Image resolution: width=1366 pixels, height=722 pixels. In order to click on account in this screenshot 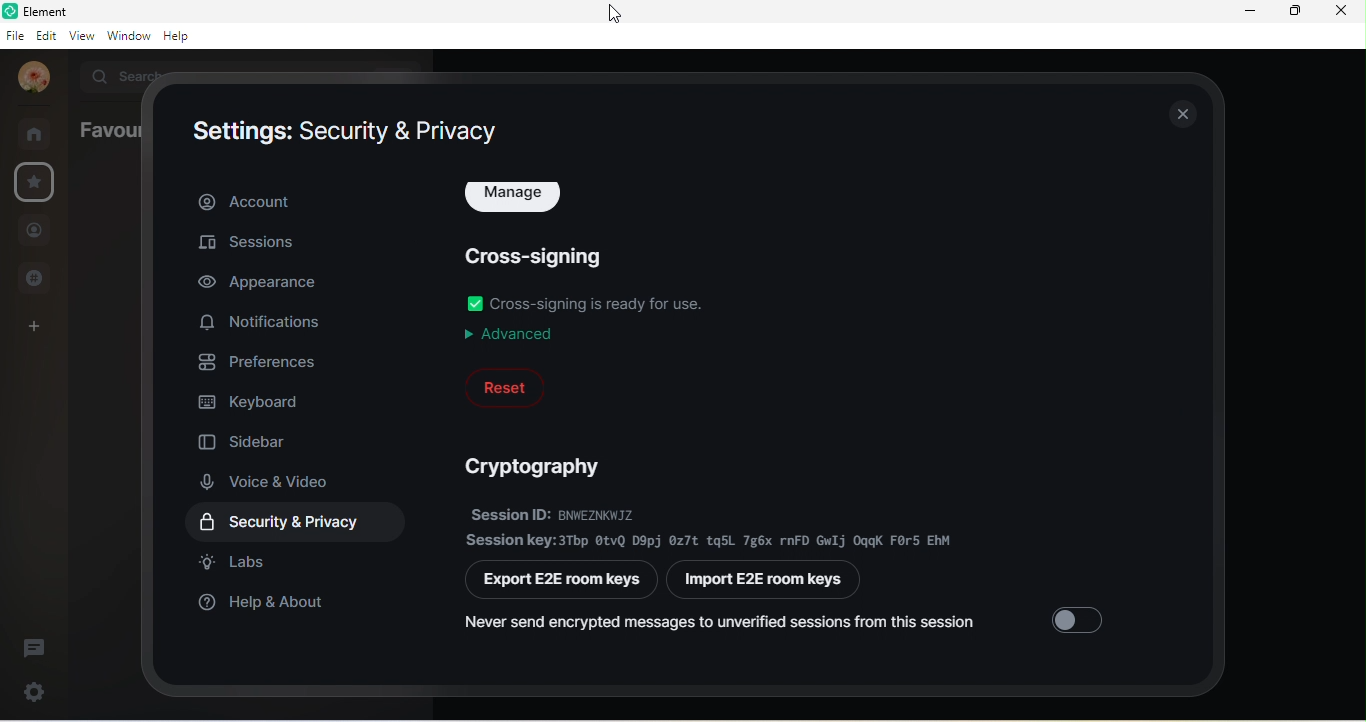, I will do `click(31, 79)`.